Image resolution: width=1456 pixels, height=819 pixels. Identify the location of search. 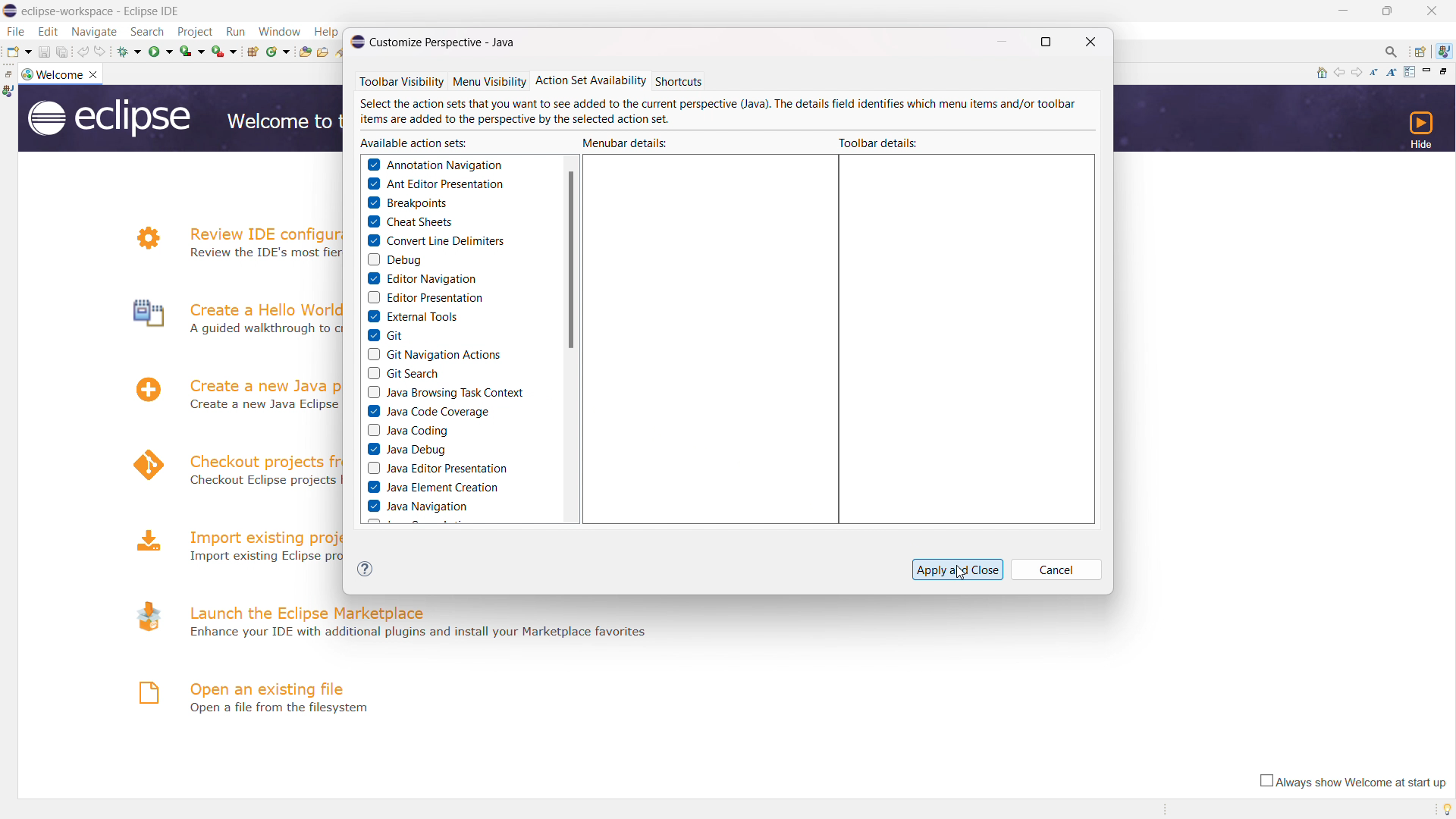
(149, 32).